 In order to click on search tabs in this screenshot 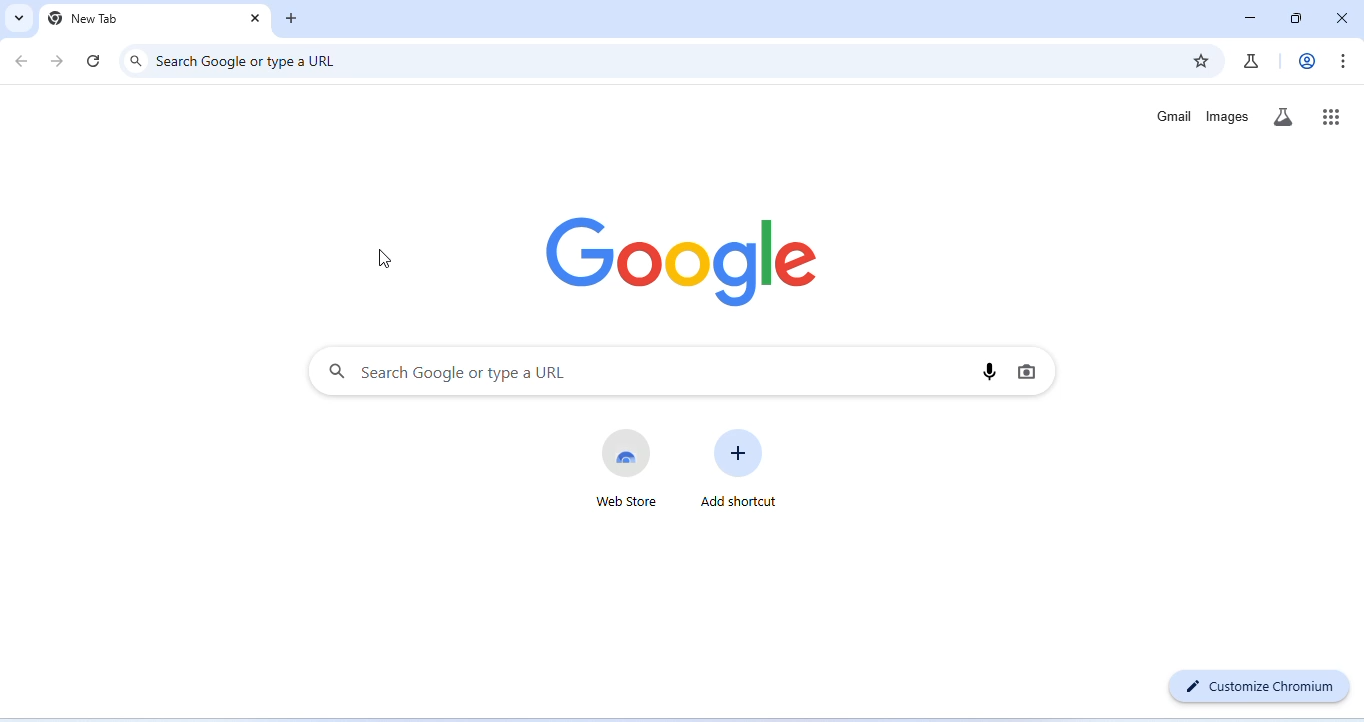, I will do `click(17, 18)`.